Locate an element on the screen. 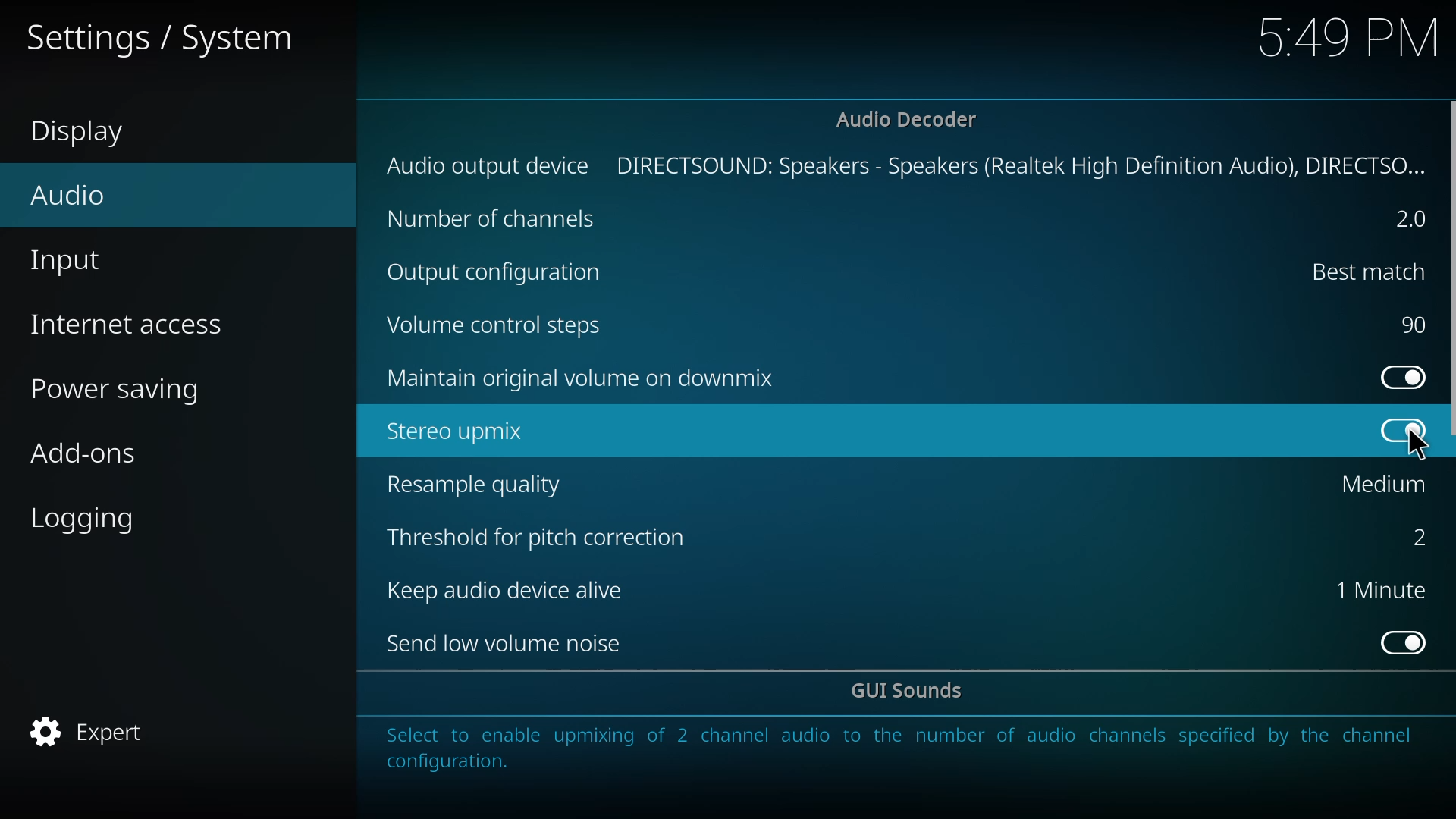  internet access  is located at coordinates (129, 319).